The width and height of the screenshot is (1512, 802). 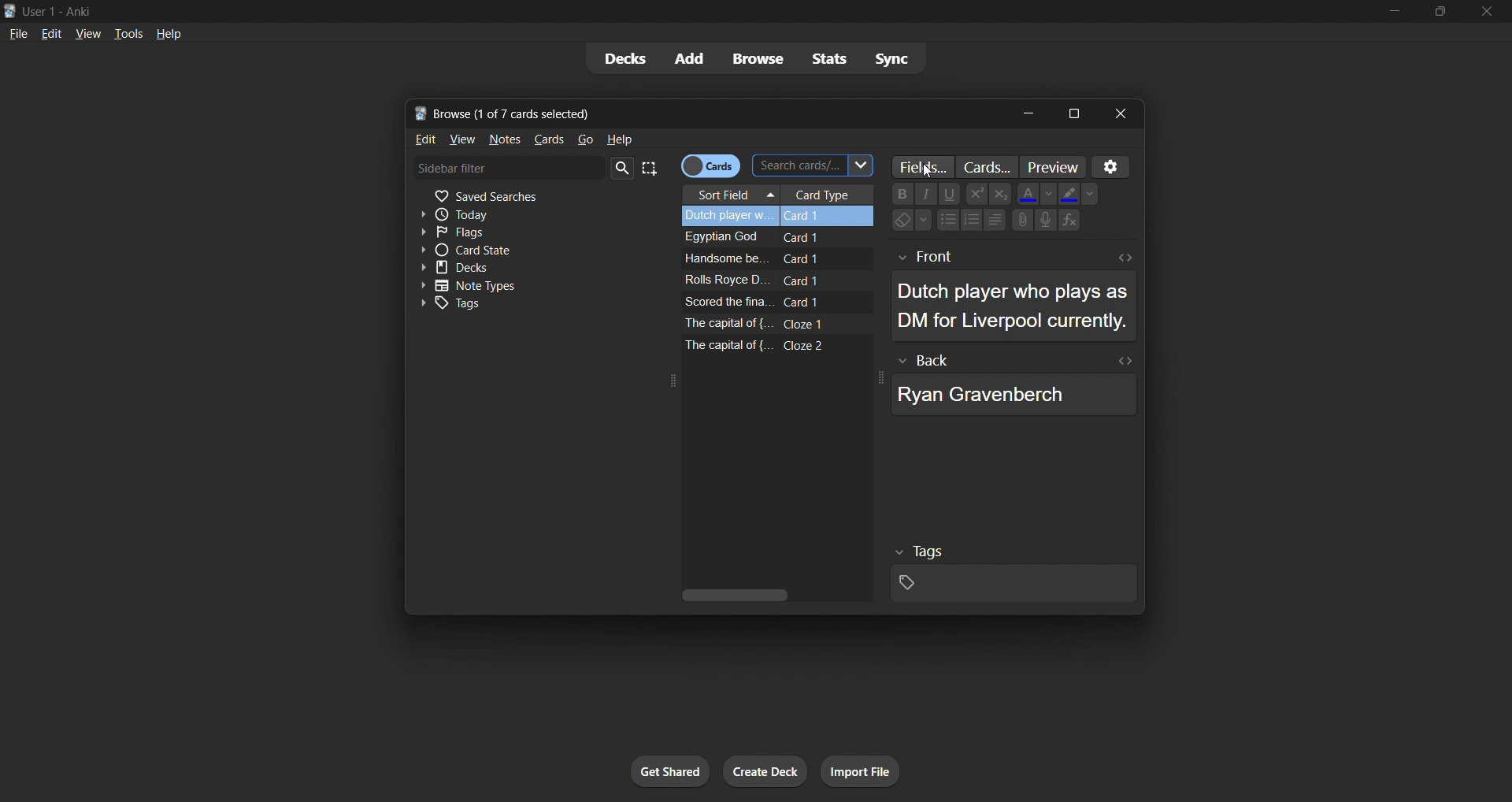 I want to click on sidebar filter, so click(x=523, y=170).